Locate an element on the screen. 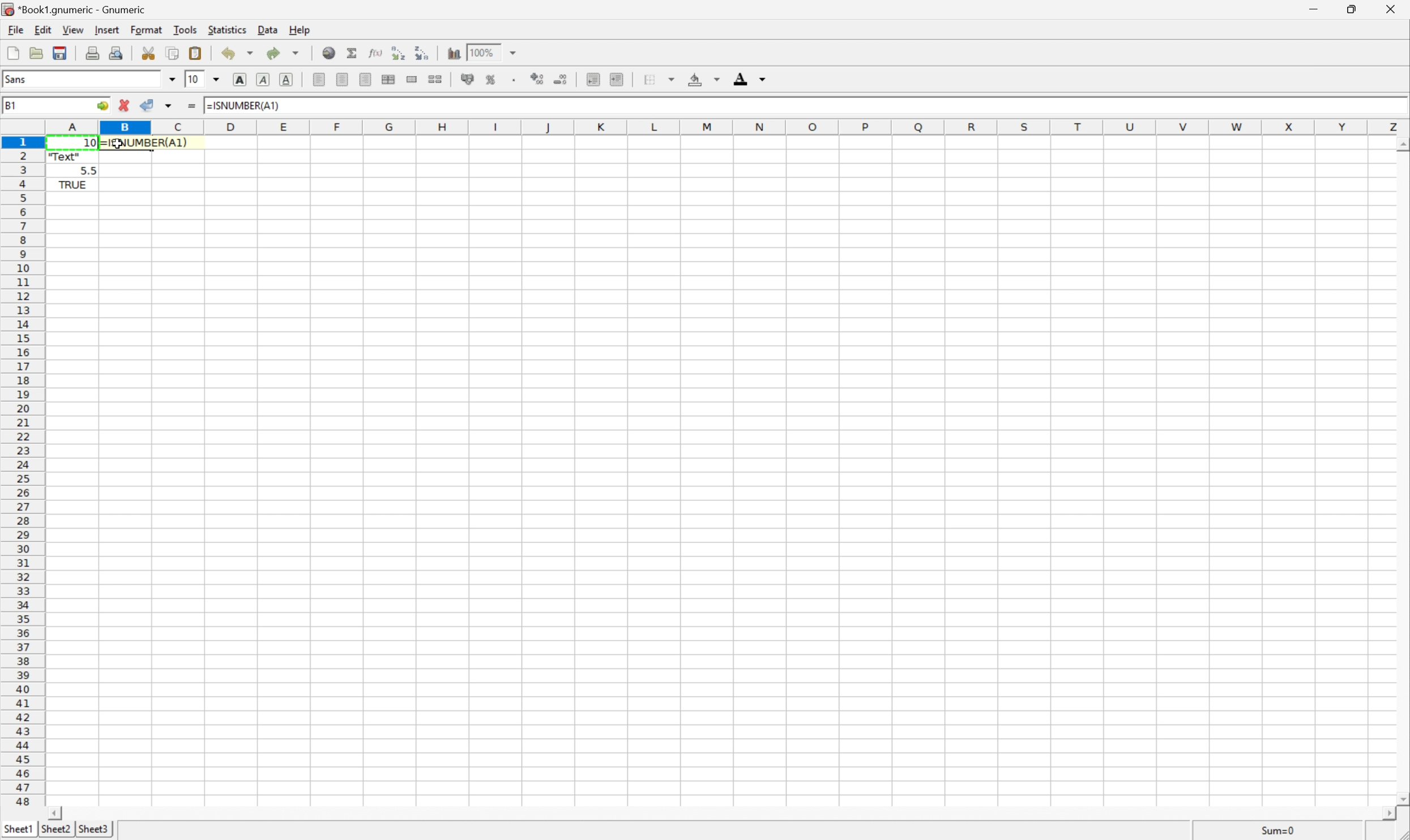  Accept changes is located at coordinates (149, 104).